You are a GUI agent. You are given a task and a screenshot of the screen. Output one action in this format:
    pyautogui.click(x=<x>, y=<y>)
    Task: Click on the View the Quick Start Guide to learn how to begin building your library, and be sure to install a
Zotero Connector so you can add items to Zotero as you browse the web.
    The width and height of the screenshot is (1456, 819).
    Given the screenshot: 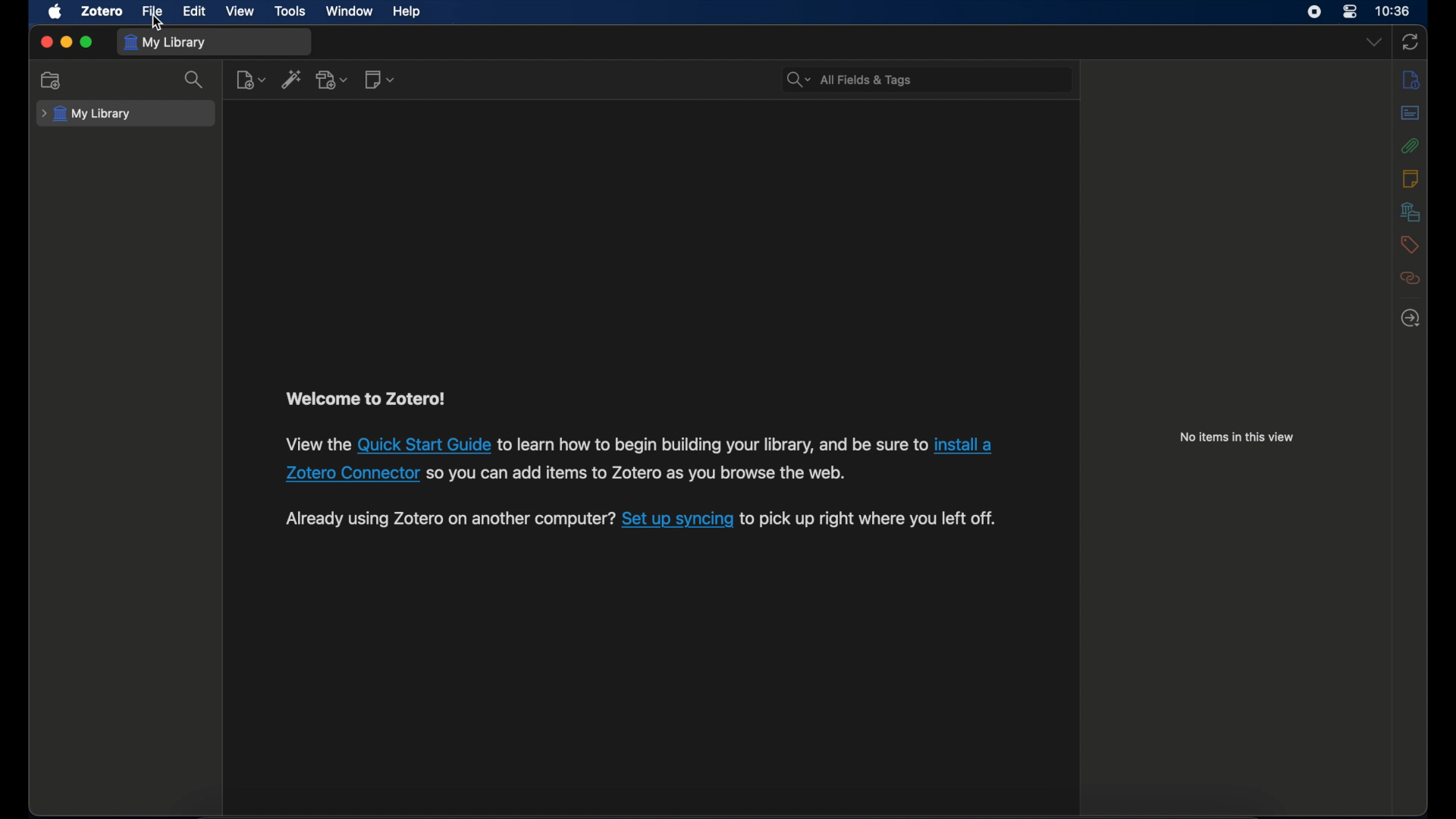 What is the action you would take?
    pyautogui.click(x=643, y=460)
    